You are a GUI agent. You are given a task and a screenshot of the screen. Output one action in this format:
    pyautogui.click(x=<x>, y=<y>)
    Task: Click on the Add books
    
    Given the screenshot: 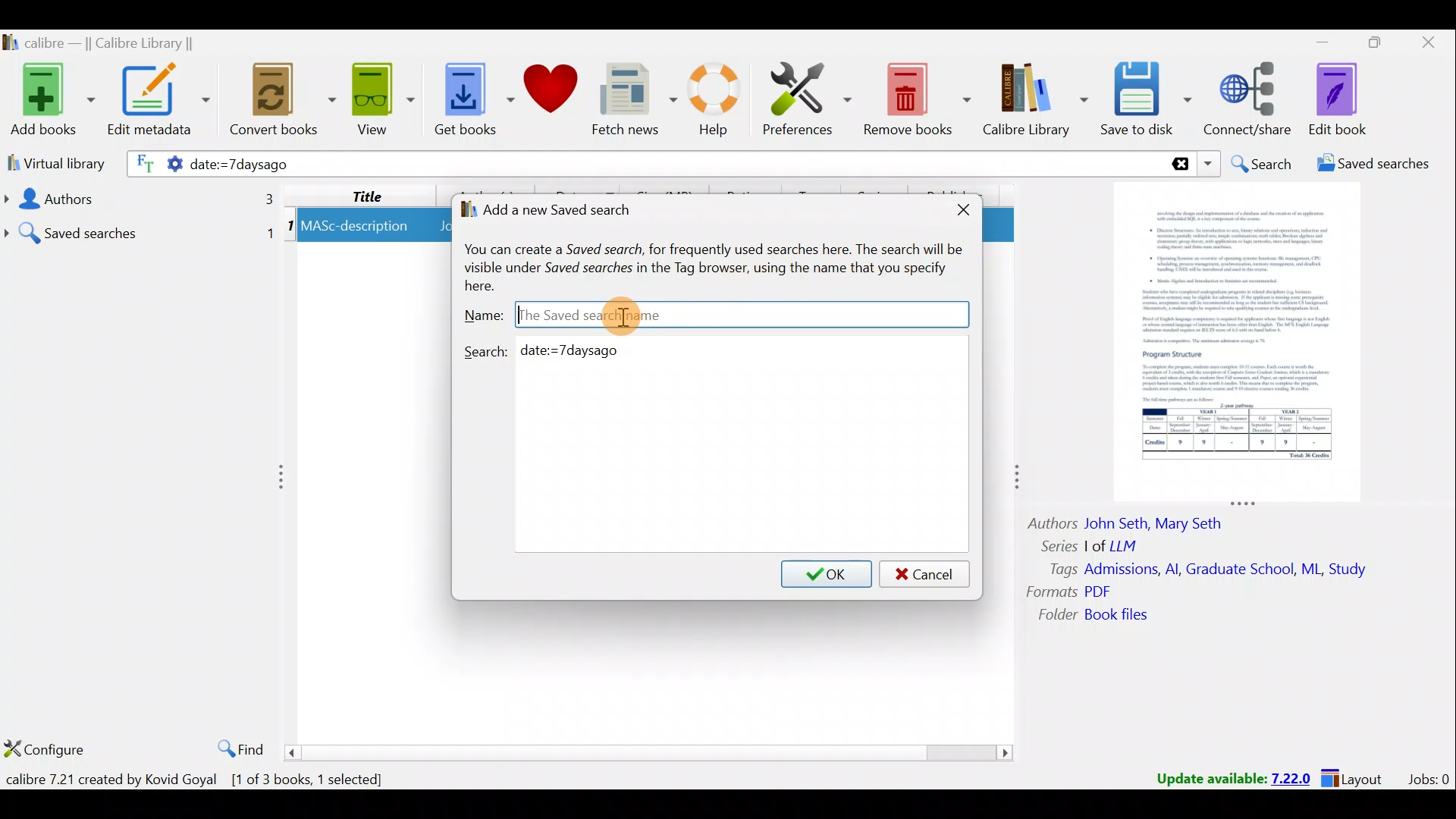 What is the action you would take?
    pyautogui.click(x=49, y=97)
    